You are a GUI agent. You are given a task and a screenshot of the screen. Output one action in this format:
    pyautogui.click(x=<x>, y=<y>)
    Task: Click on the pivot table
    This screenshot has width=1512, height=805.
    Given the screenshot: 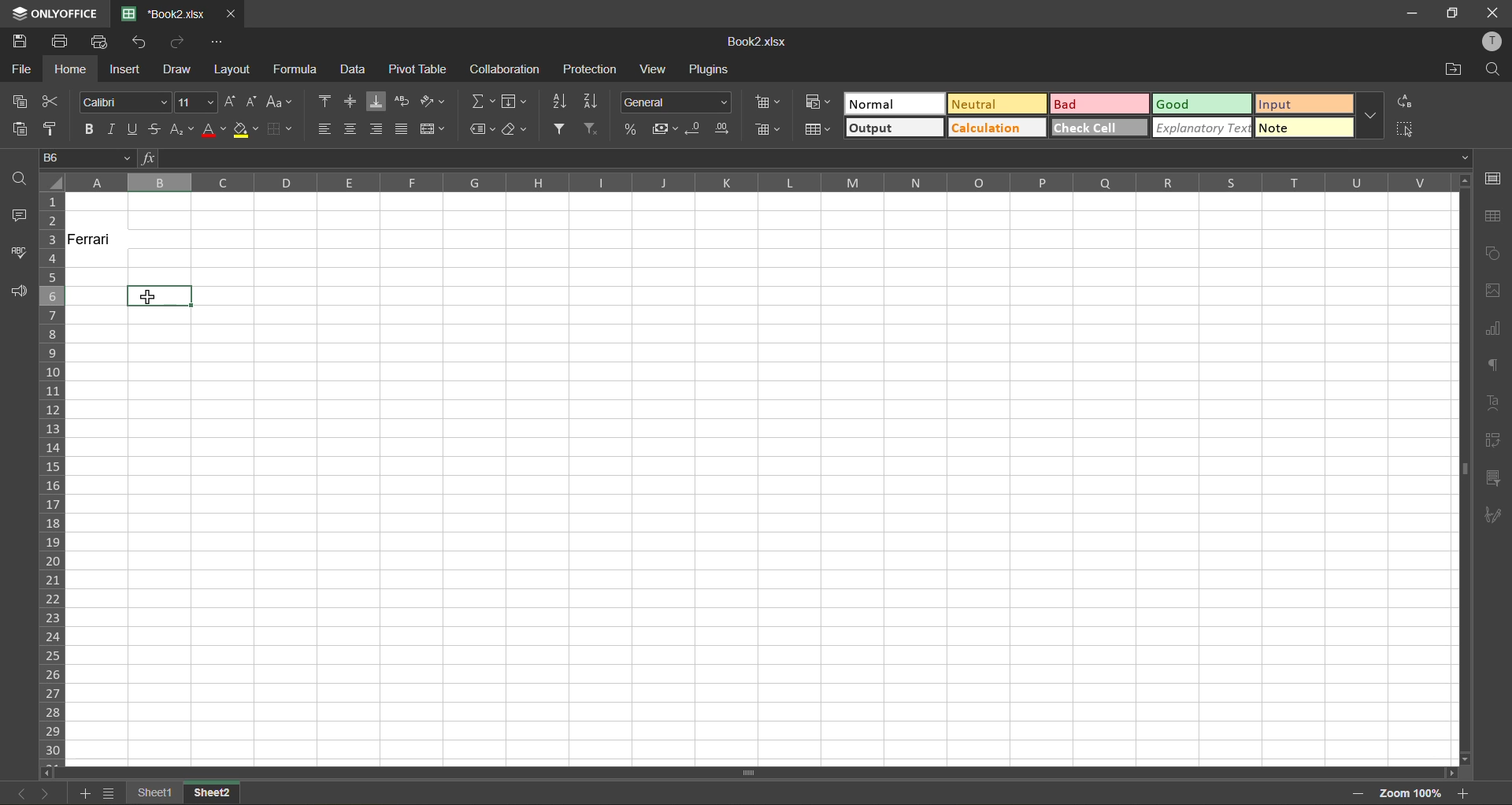 What is the action you would take?
    pyautogui.click(x=1492, y=440)
    